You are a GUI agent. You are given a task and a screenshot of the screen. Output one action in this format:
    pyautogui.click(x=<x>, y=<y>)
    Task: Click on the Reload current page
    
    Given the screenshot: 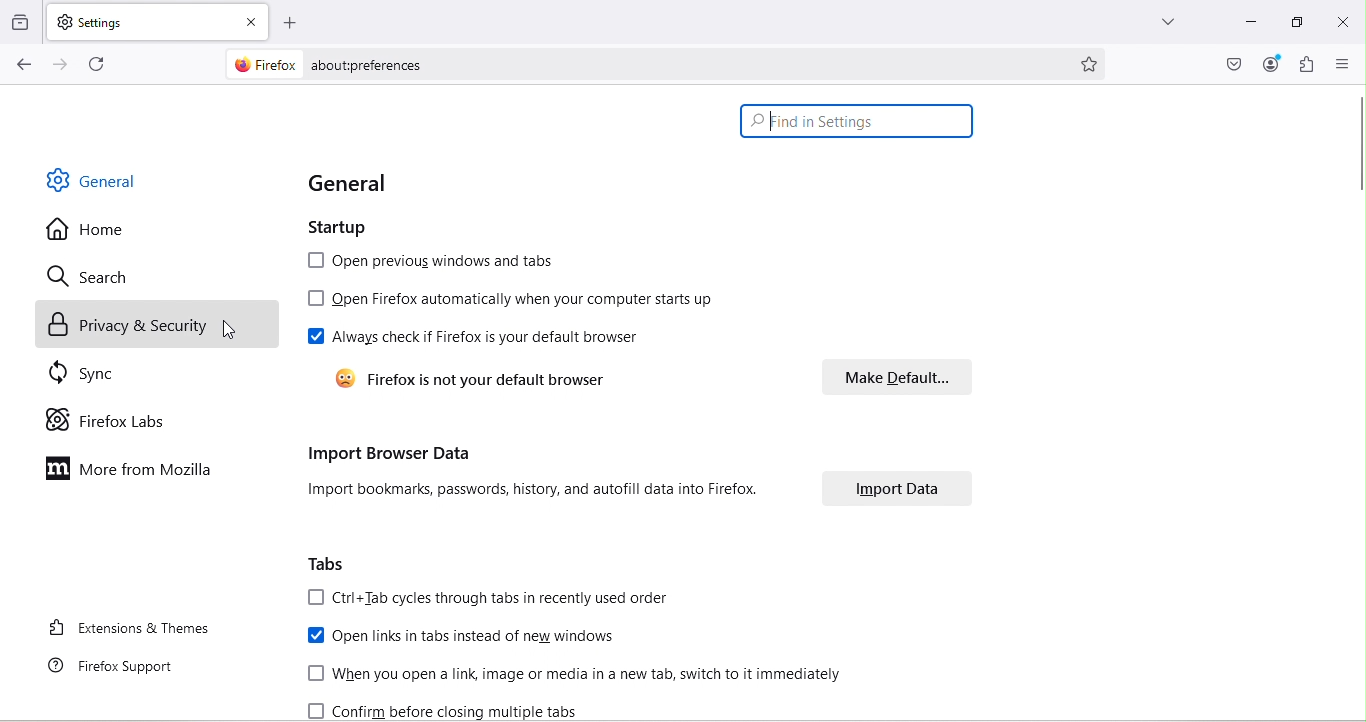 What is the action you would take?
    pyautogui.click(x=99, y=64)
    